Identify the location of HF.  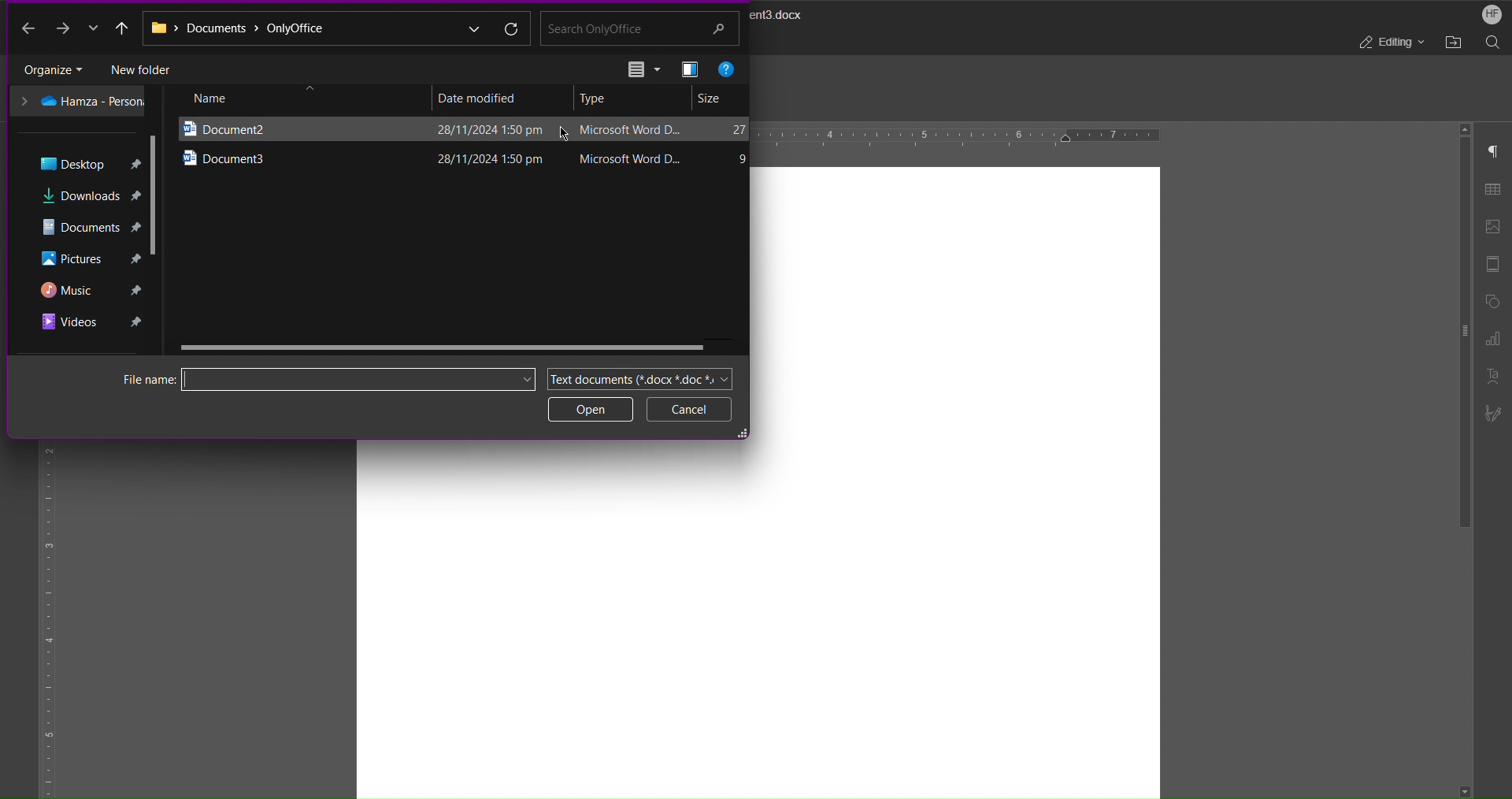
(1492, 13).